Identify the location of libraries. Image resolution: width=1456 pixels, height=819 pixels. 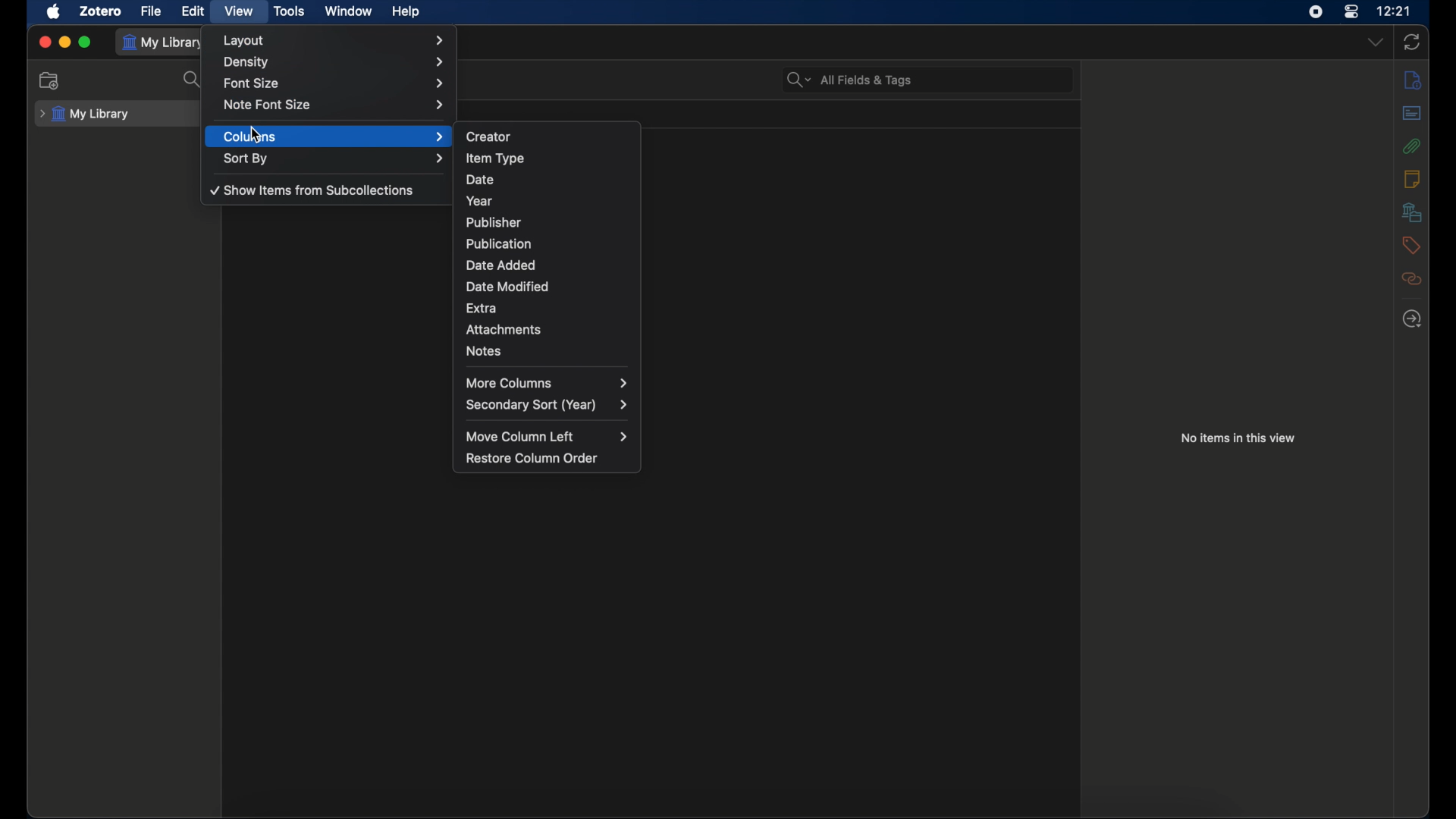
(1412, 212).